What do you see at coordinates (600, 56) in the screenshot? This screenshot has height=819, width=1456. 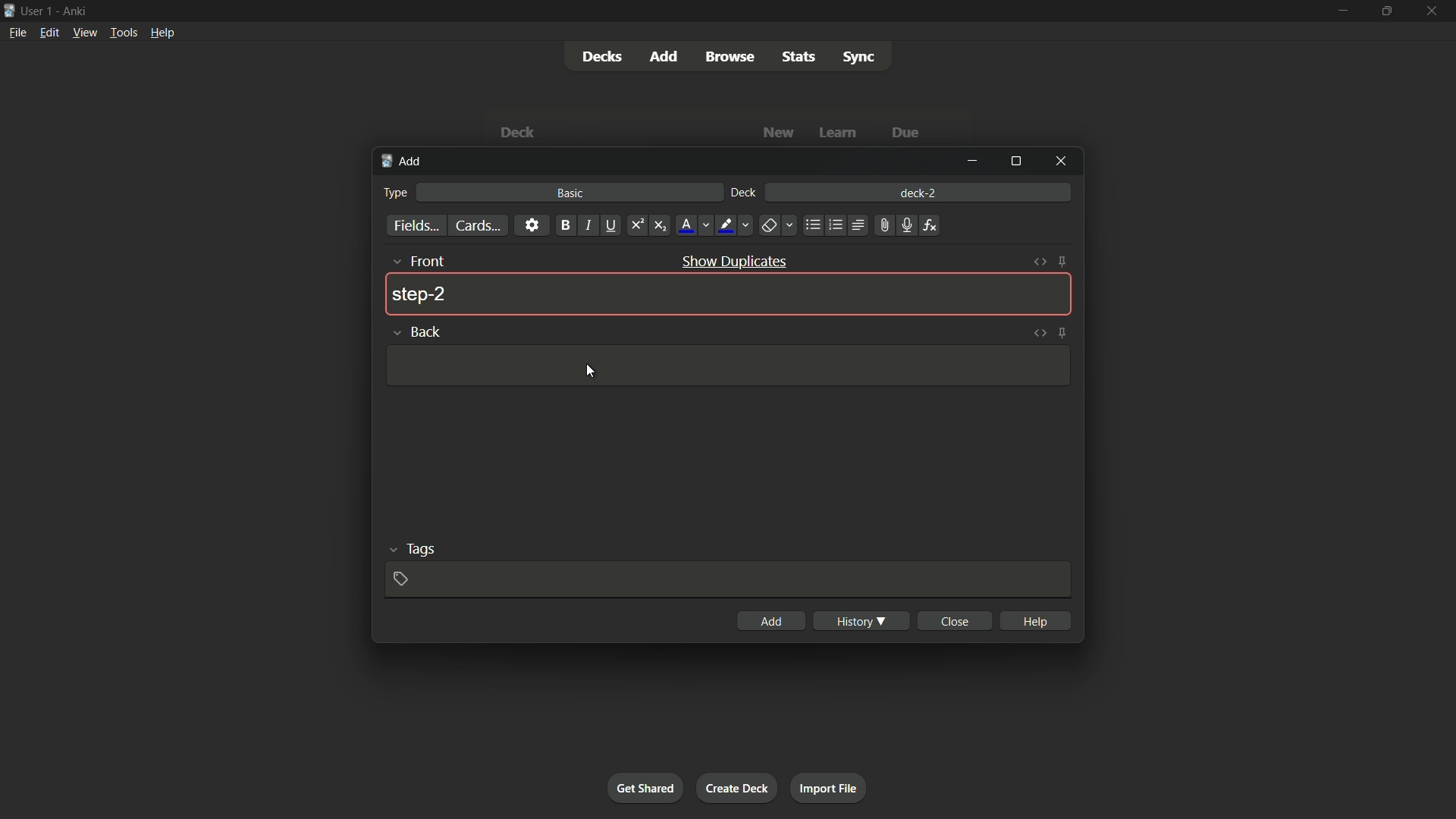 I see `decks` at bounding box center [600, 56].